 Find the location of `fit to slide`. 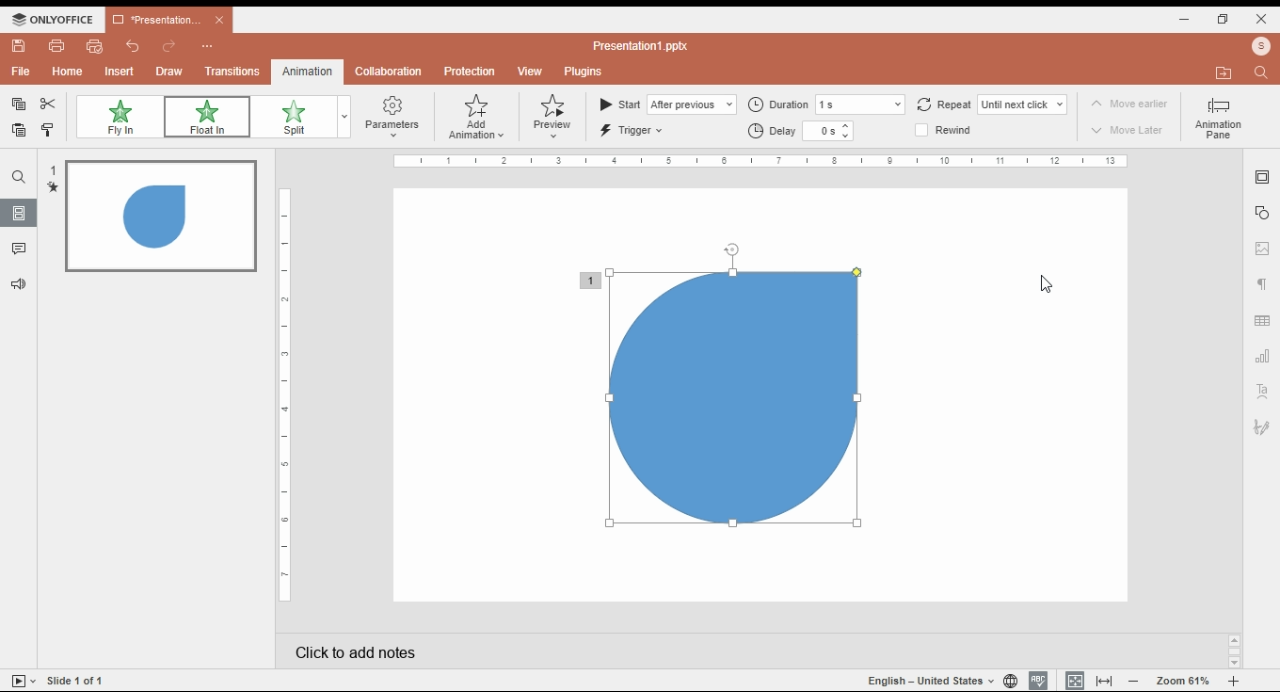

fit to slide is located at coordinates (1075, 681).